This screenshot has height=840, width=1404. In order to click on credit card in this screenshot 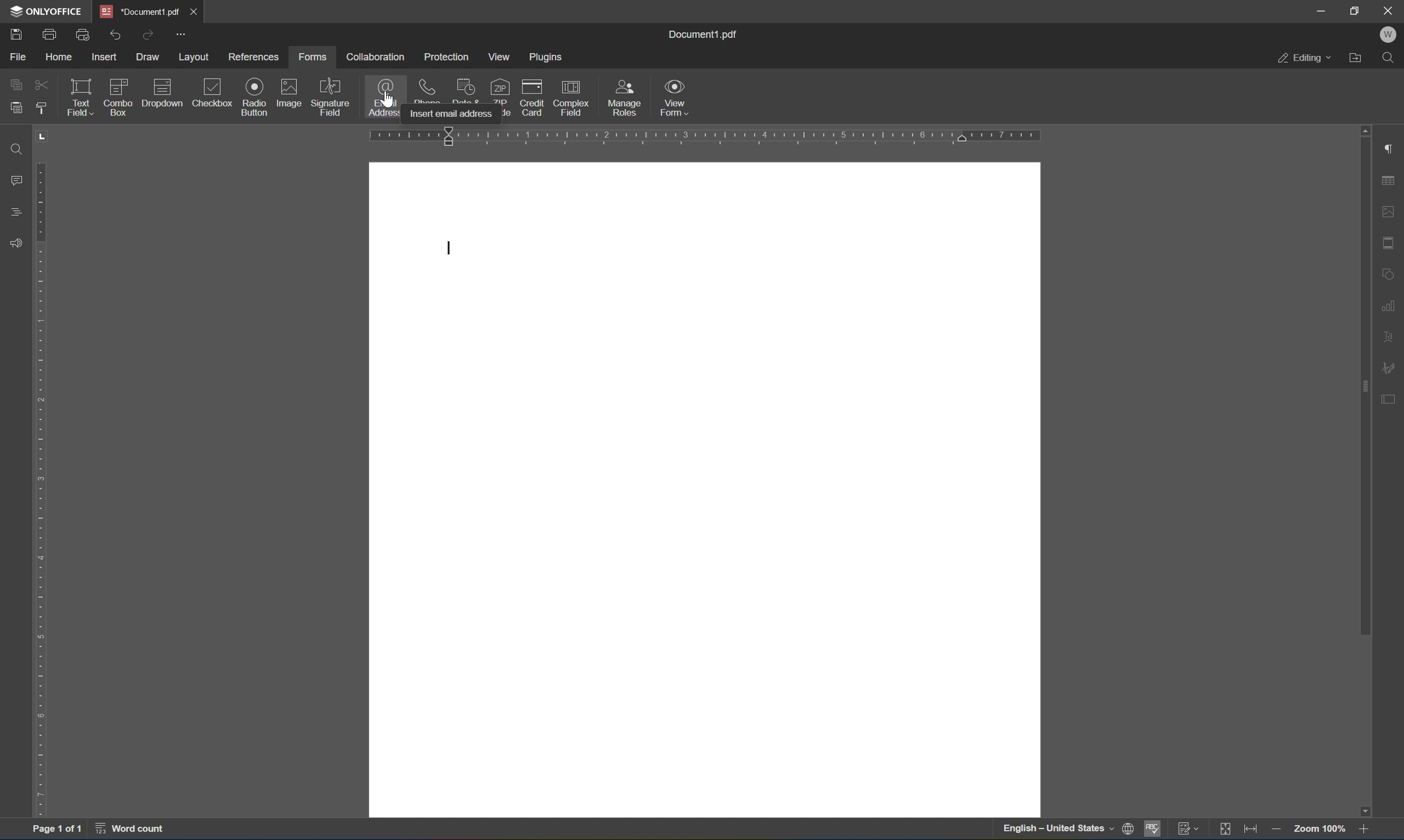, I will do `click(531, 98)`.